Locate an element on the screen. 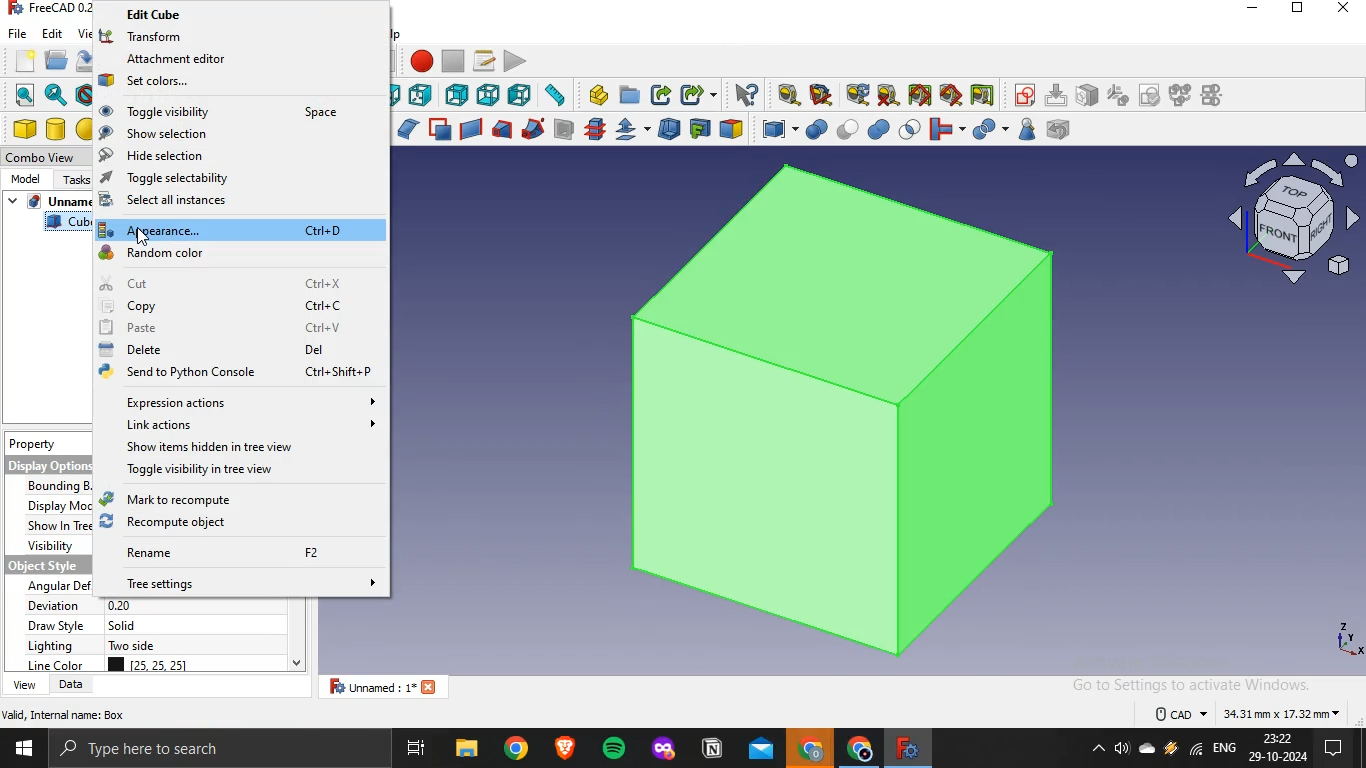 This screenshot has width=1366, height=768. bottom is located at coordinates (489, 95).